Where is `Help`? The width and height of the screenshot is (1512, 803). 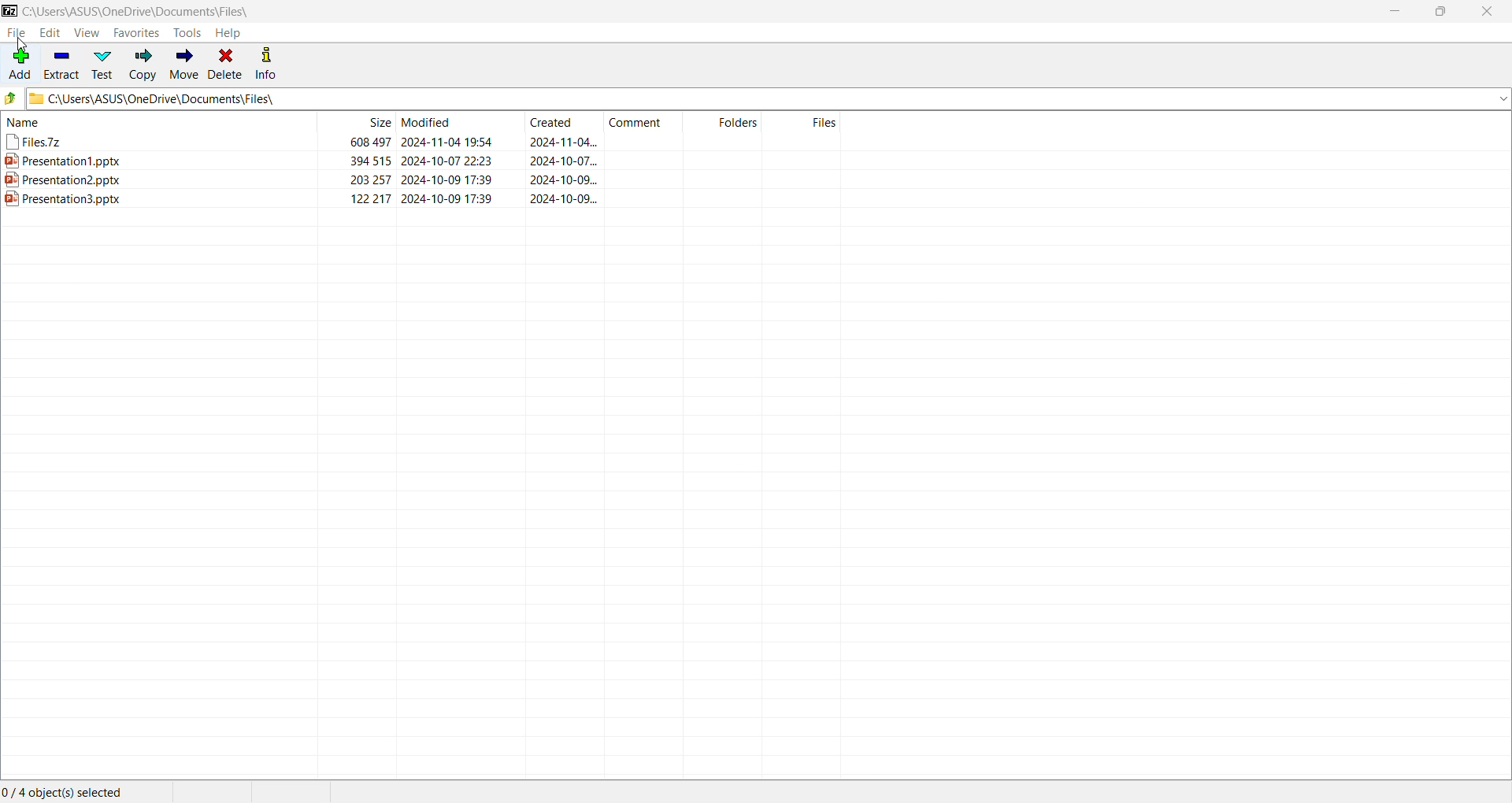 Help is located at coordinates (232, 35).